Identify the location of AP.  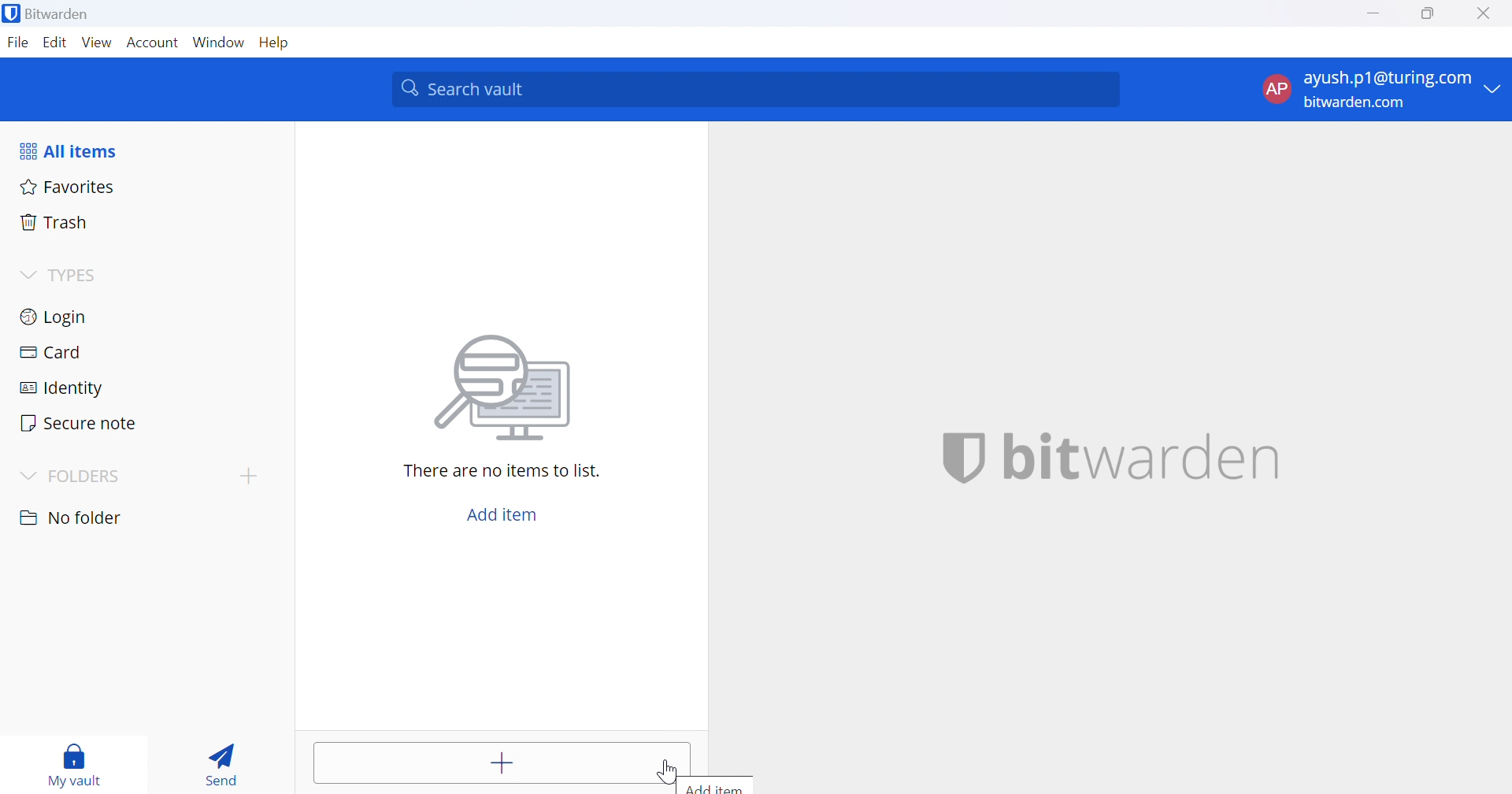
(1275, 88).